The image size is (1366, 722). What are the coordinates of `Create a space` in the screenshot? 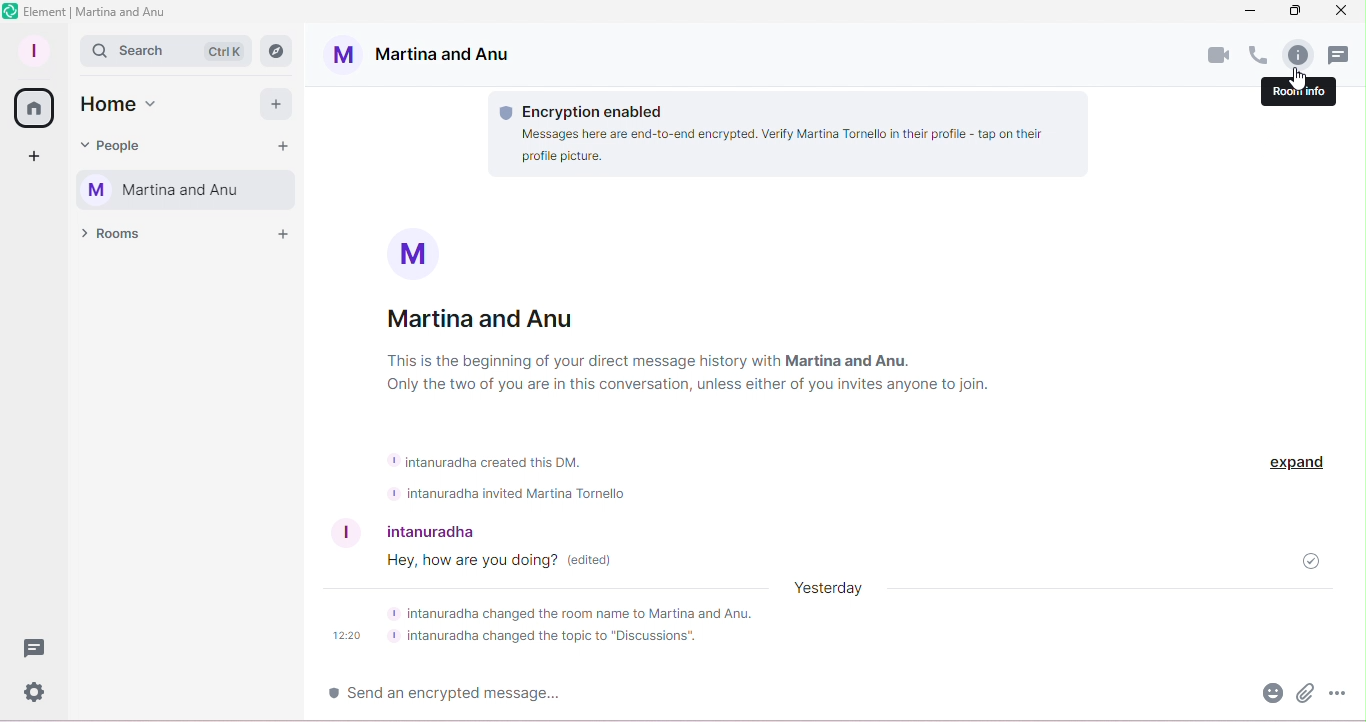 It's located at (38, 160).